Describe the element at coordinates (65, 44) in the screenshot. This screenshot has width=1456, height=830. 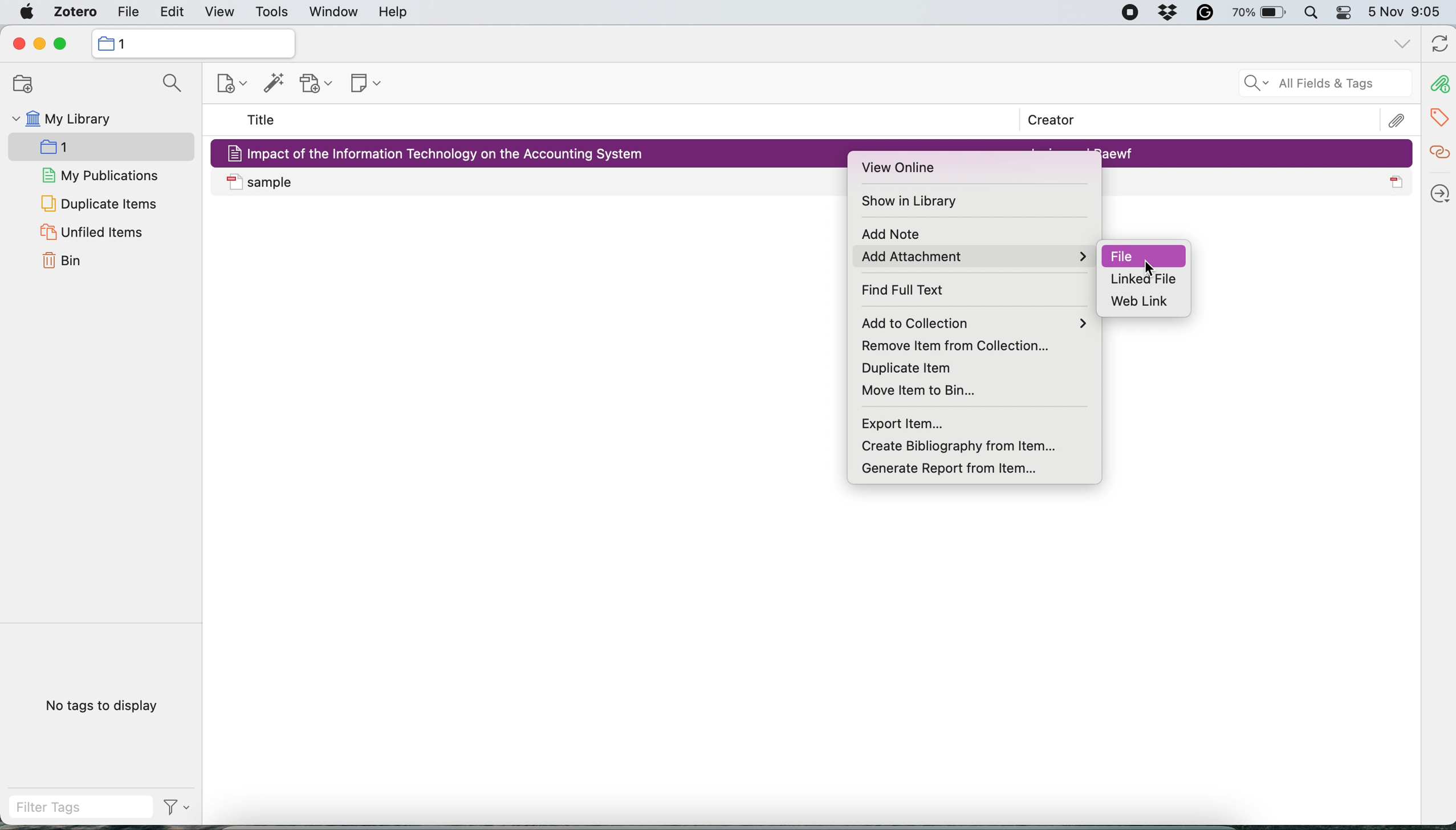
I see `maximise` at that location.